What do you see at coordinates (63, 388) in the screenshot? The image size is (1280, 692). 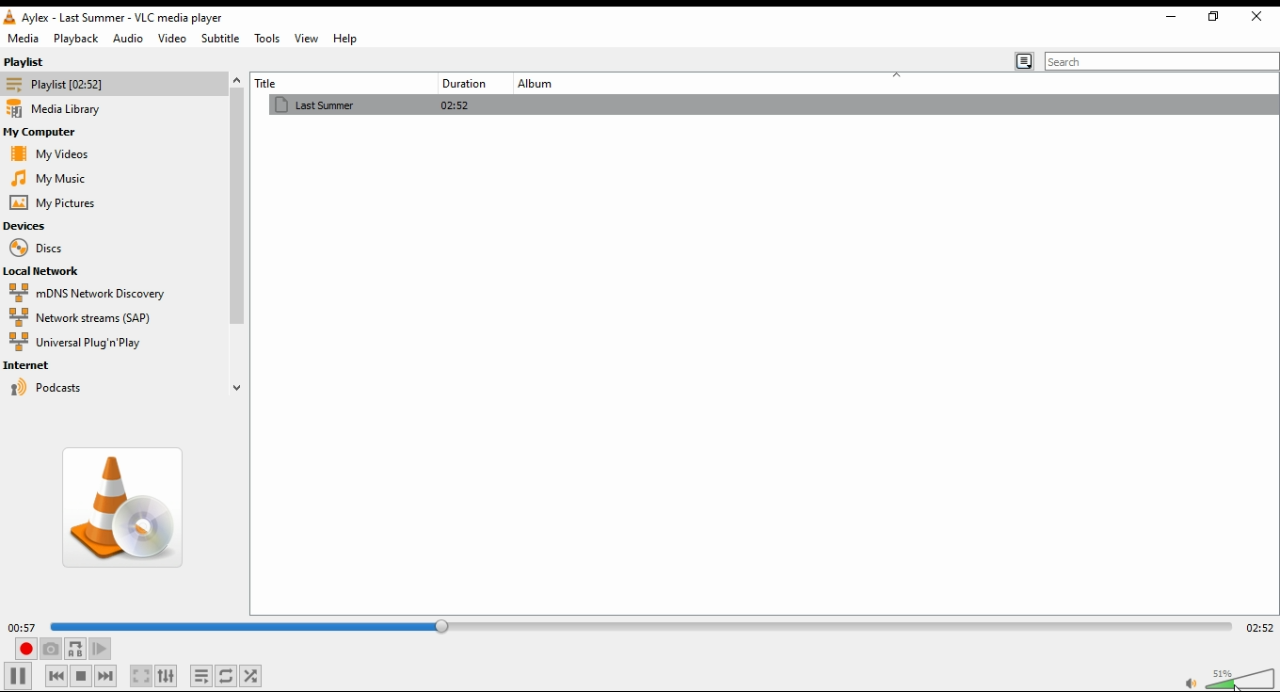 I see `podcasts` at bounding box center [63, 388].